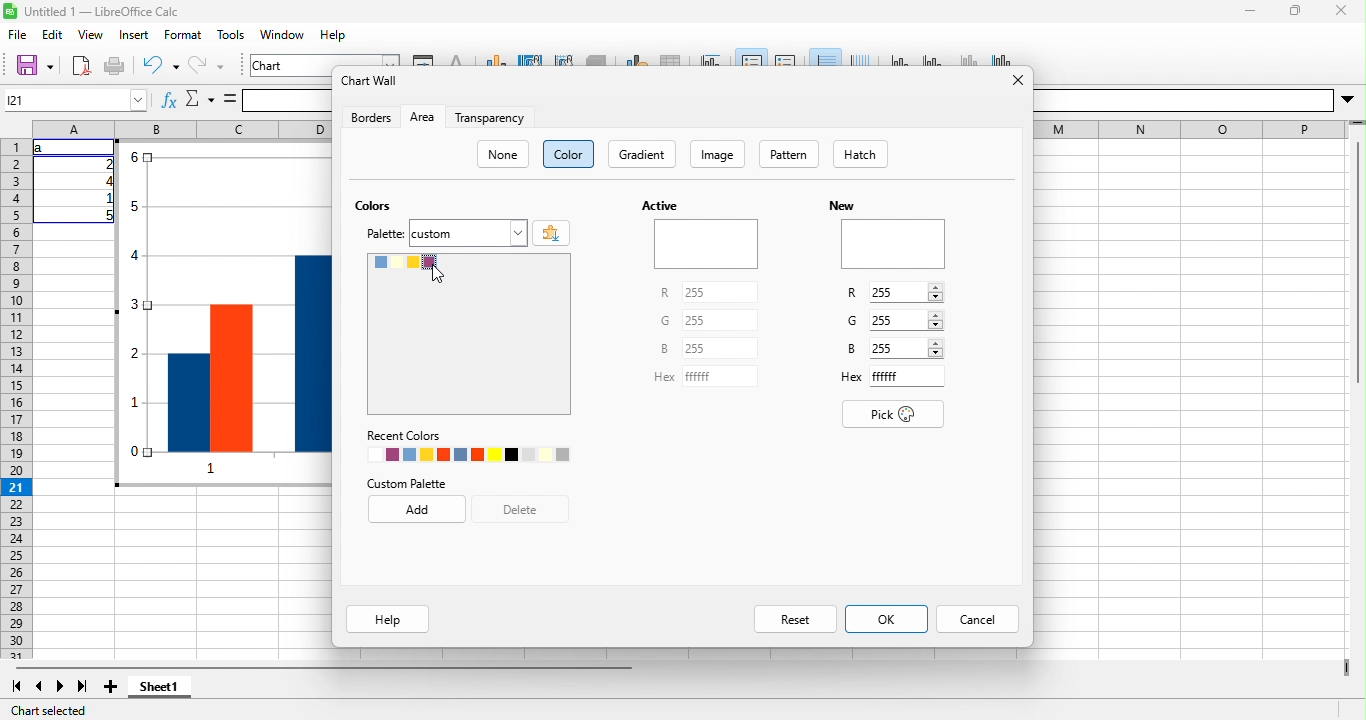 This screenshot has height=720, width=1366. I want to click on custom palette option selected, so click(468, 233).